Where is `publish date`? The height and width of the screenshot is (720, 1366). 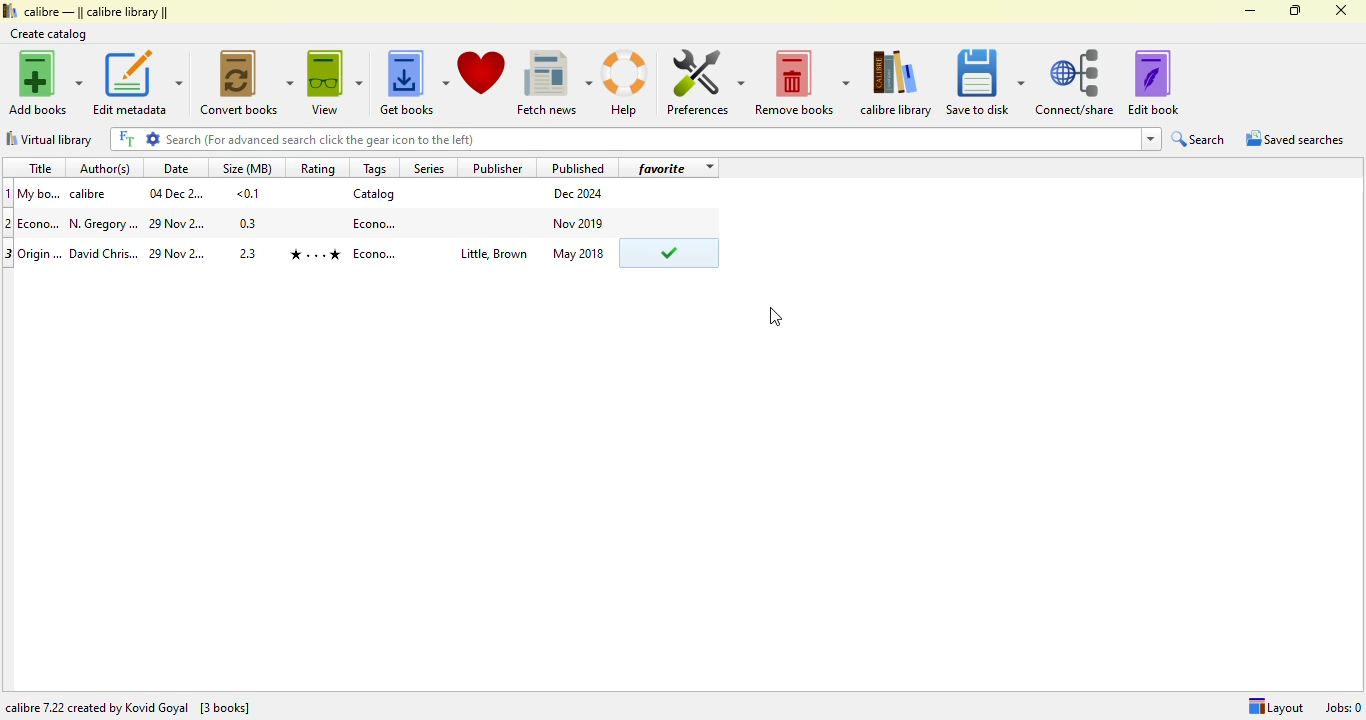 publish date is located at coordinates (580, 253).